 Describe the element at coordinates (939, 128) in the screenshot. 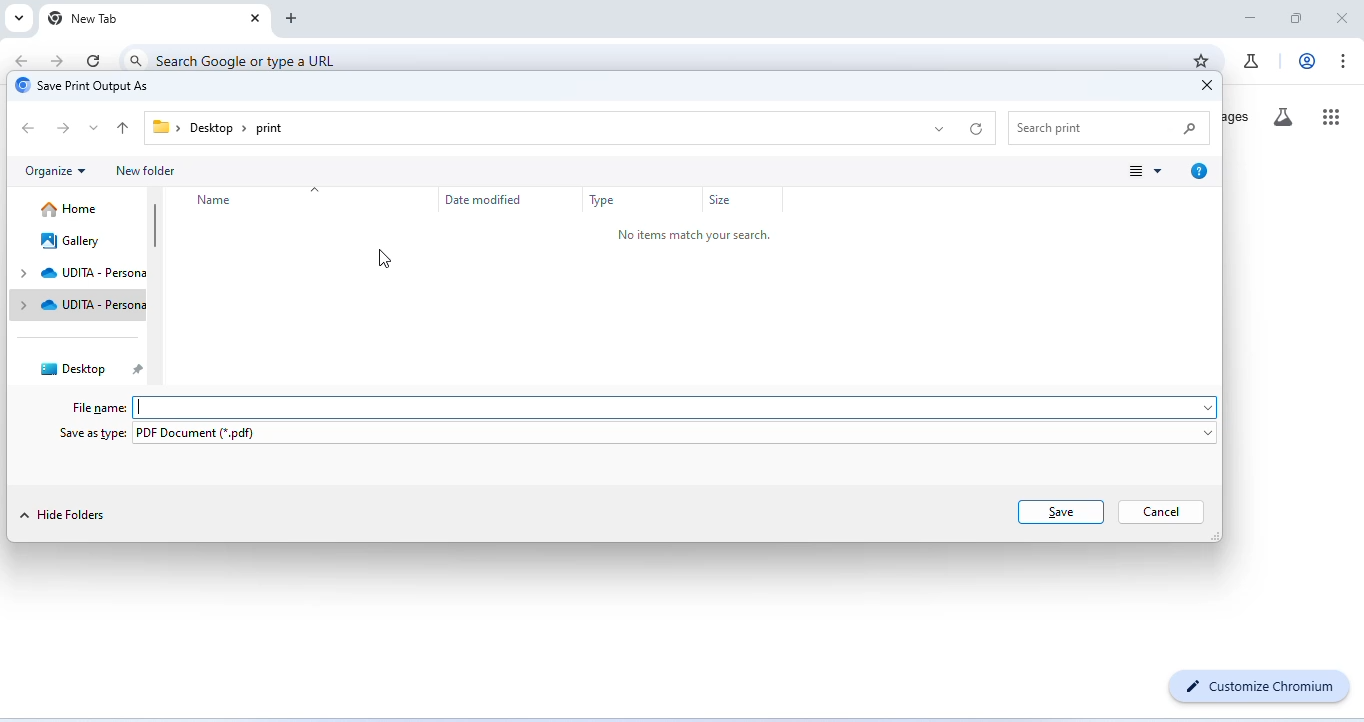

I see `drop down` at that location.